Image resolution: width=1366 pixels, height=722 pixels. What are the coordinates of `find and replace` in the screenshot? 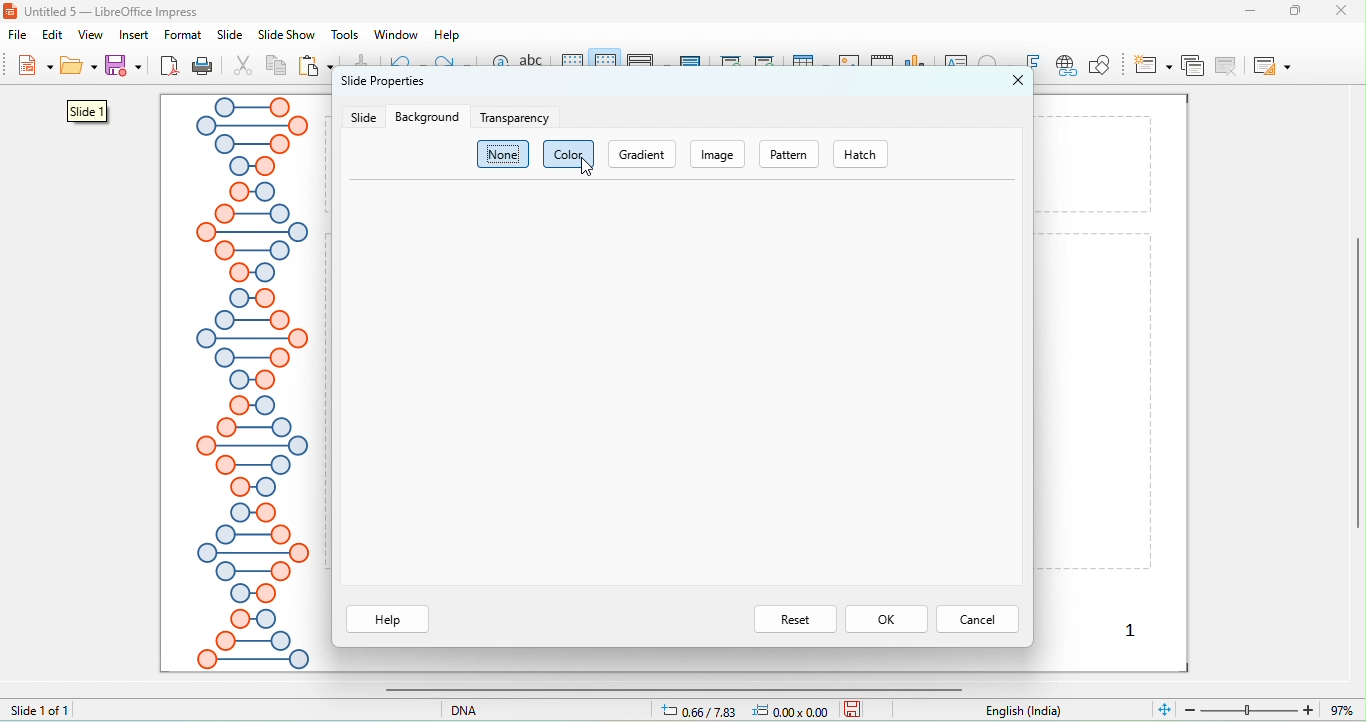 It's located at (499, 68).